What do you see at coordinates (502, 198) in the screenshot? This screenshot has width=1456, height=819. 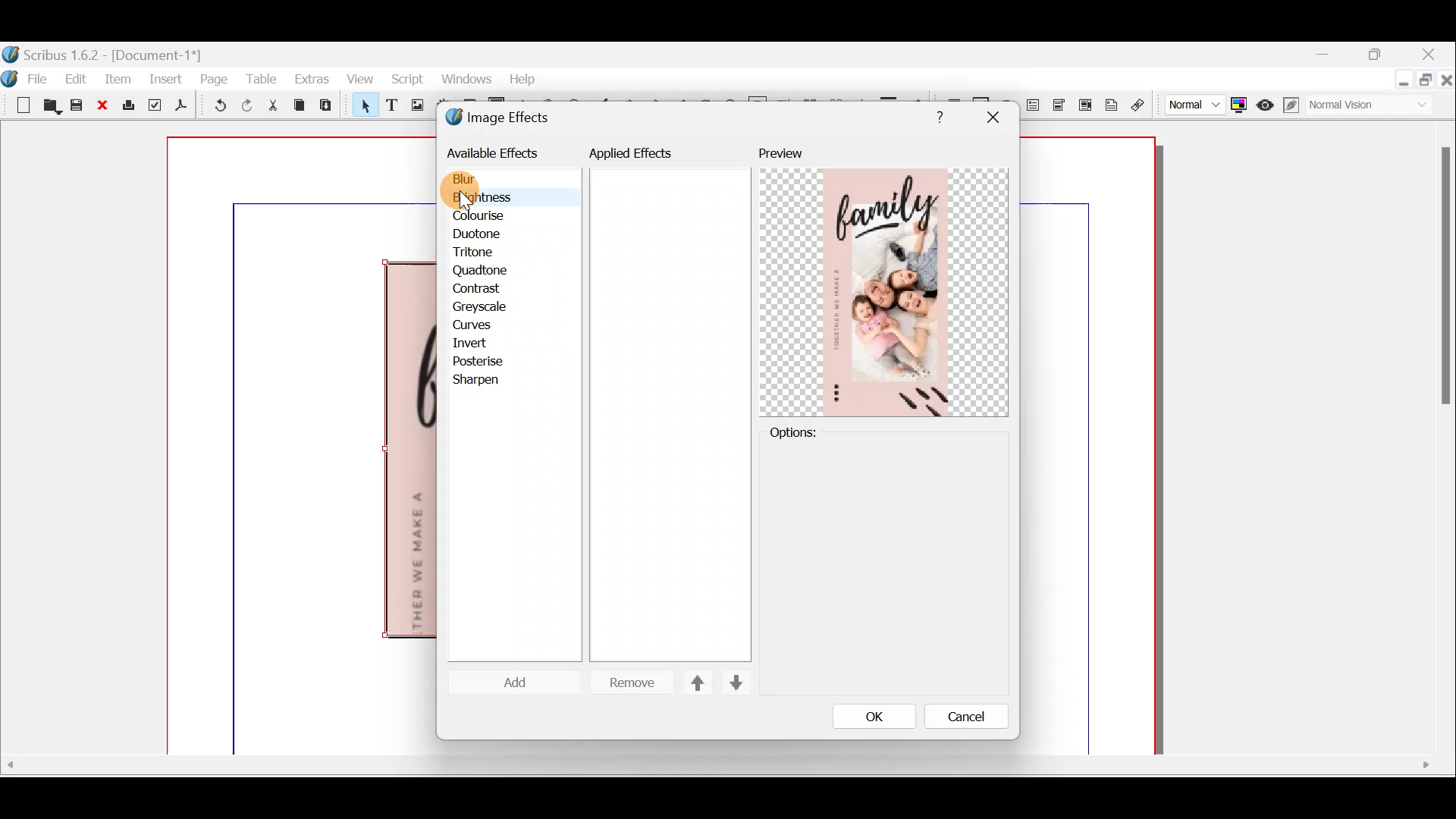 I see `Brightness` at bounding box center [502, 198].